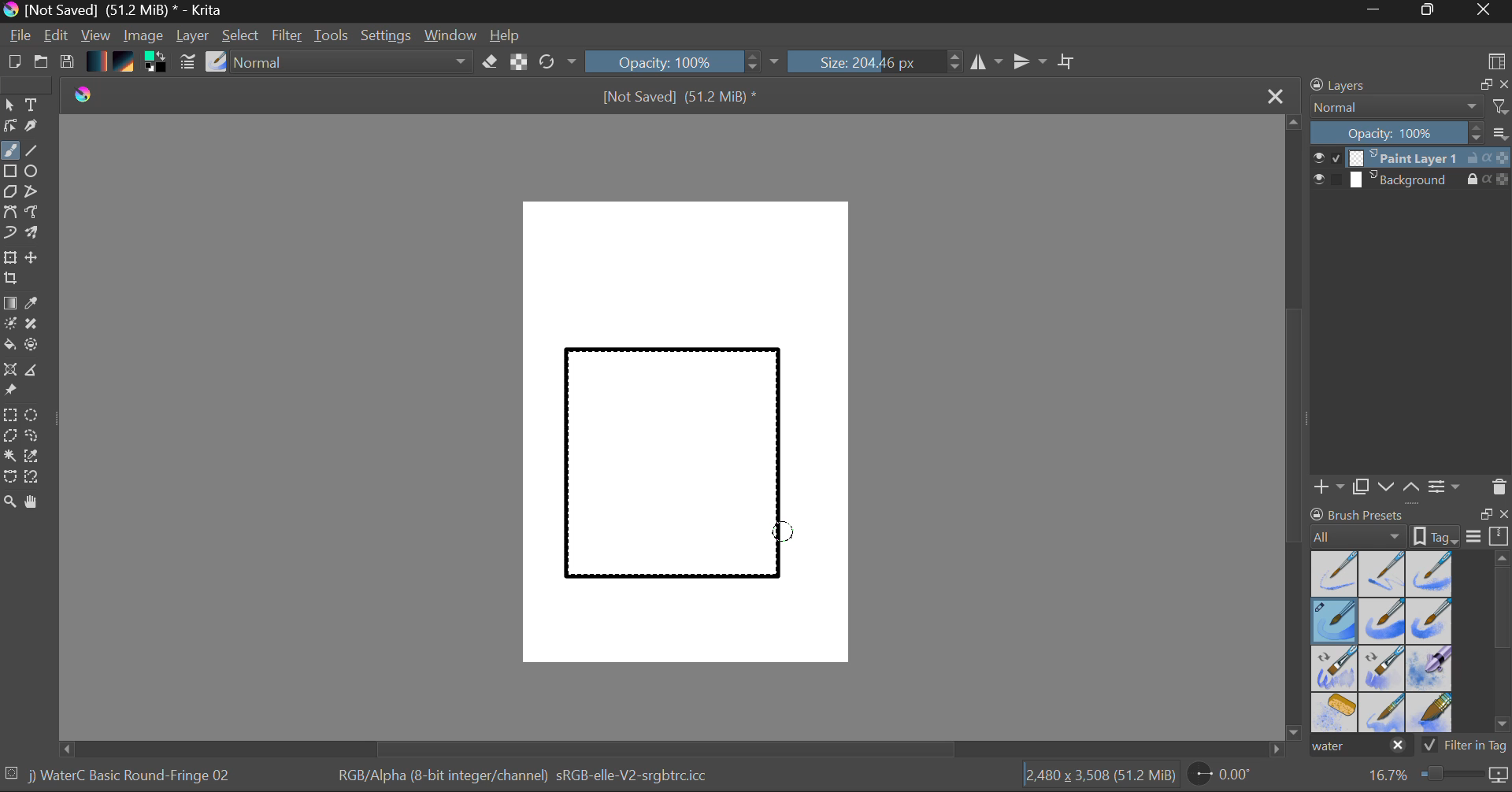 The image size is (1512, 792). I want to click on Bezier Curve Selector, so click(9, 478).